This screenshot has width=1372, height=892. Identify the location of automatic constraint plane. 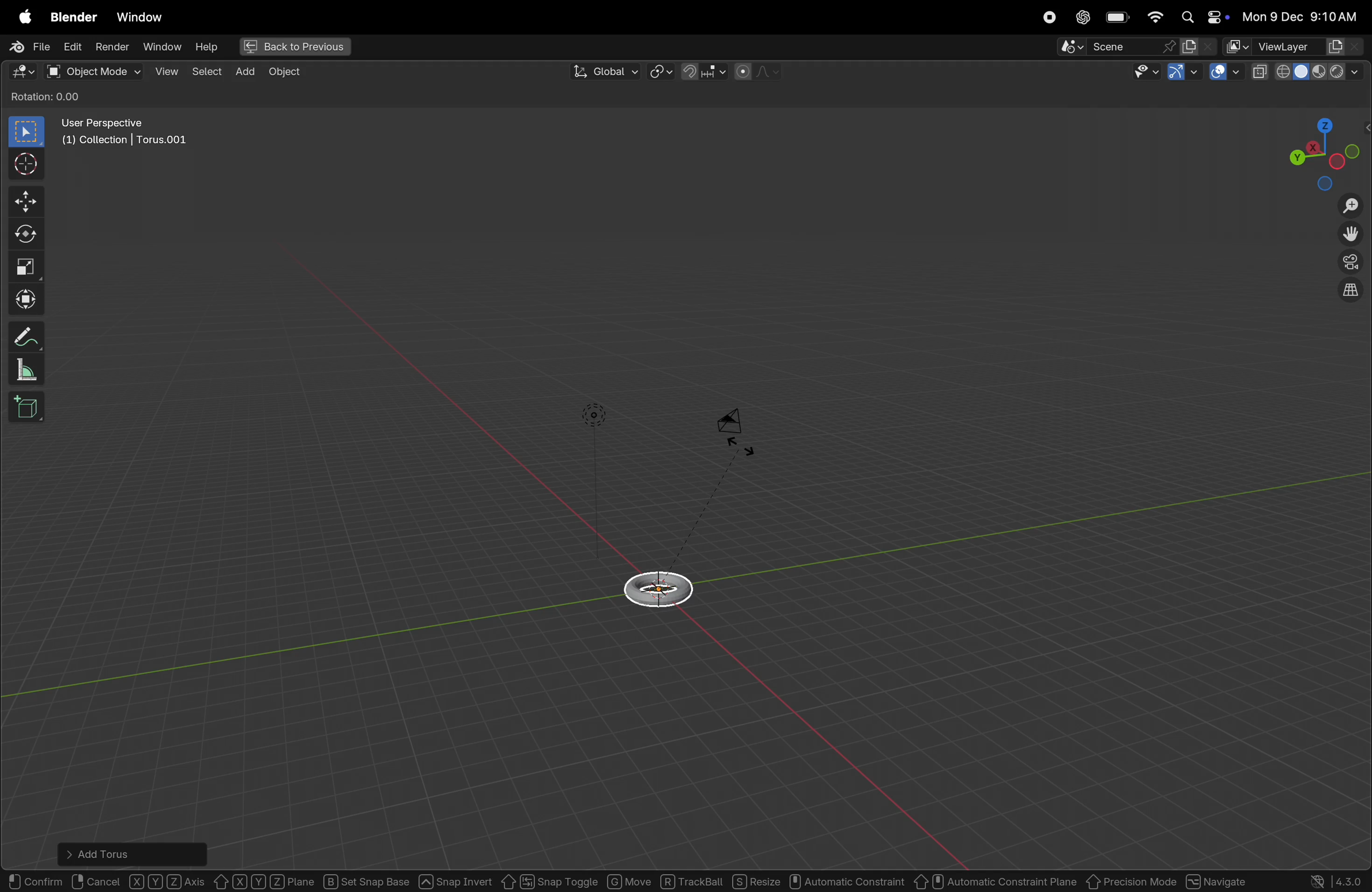
(996, 879).